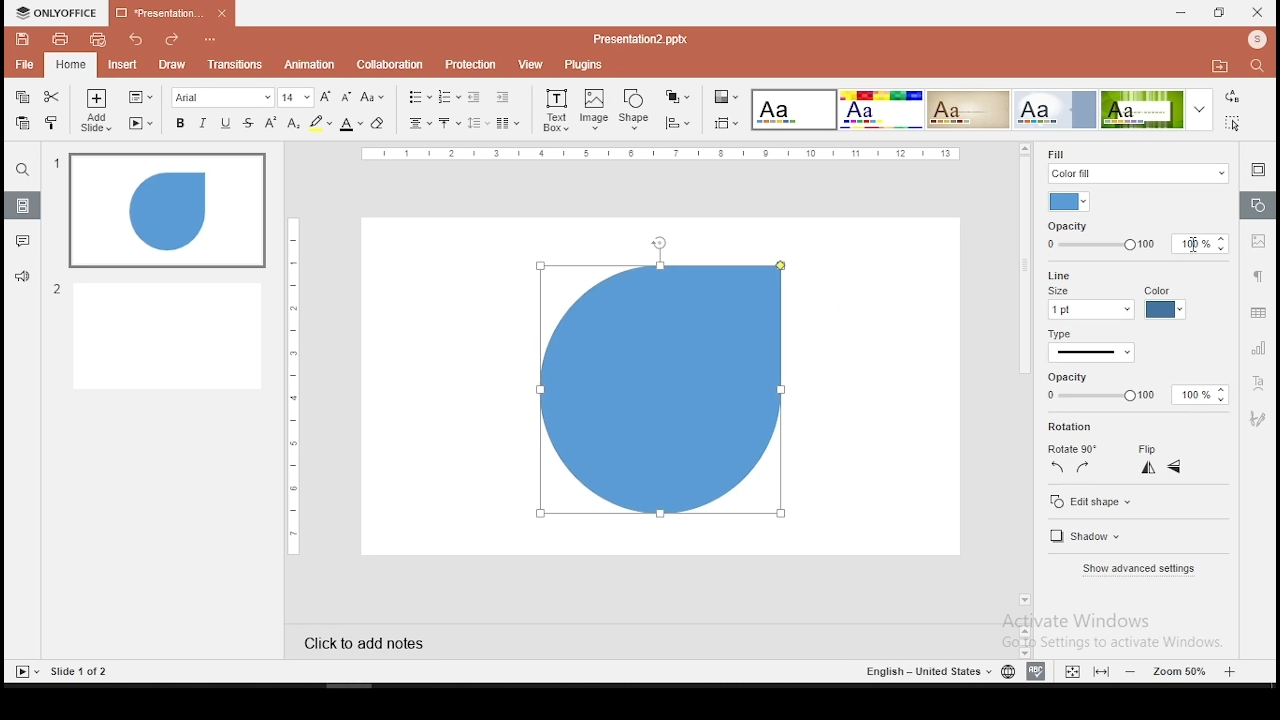  I want to click on line, so click(1056, 274).